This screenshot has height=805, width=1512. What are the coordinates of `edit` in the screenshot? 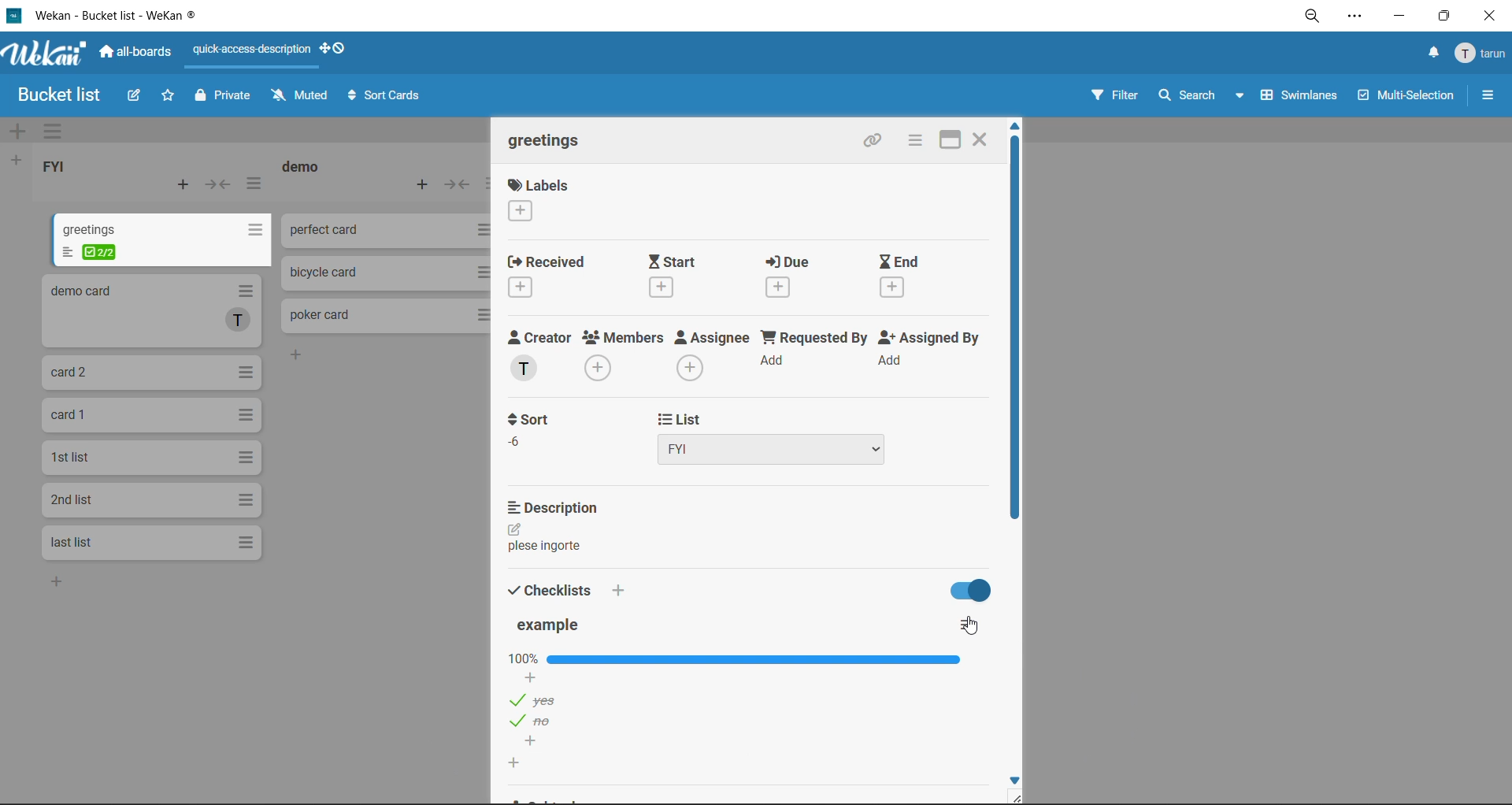 It's located at (135, 98).